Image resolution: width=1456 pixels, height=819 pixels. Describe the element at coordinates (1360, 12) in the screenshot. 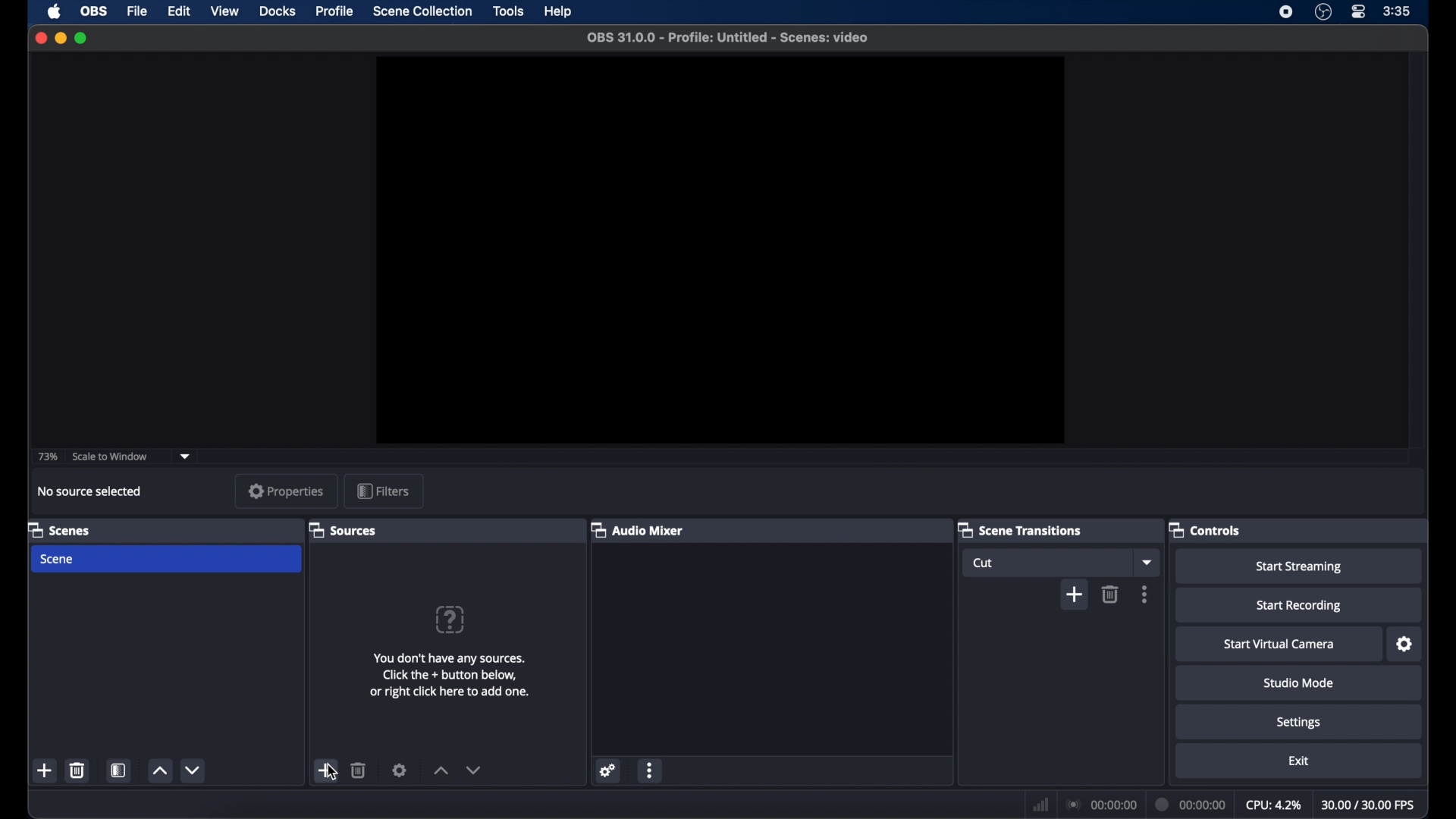

I see `control center` at that location.